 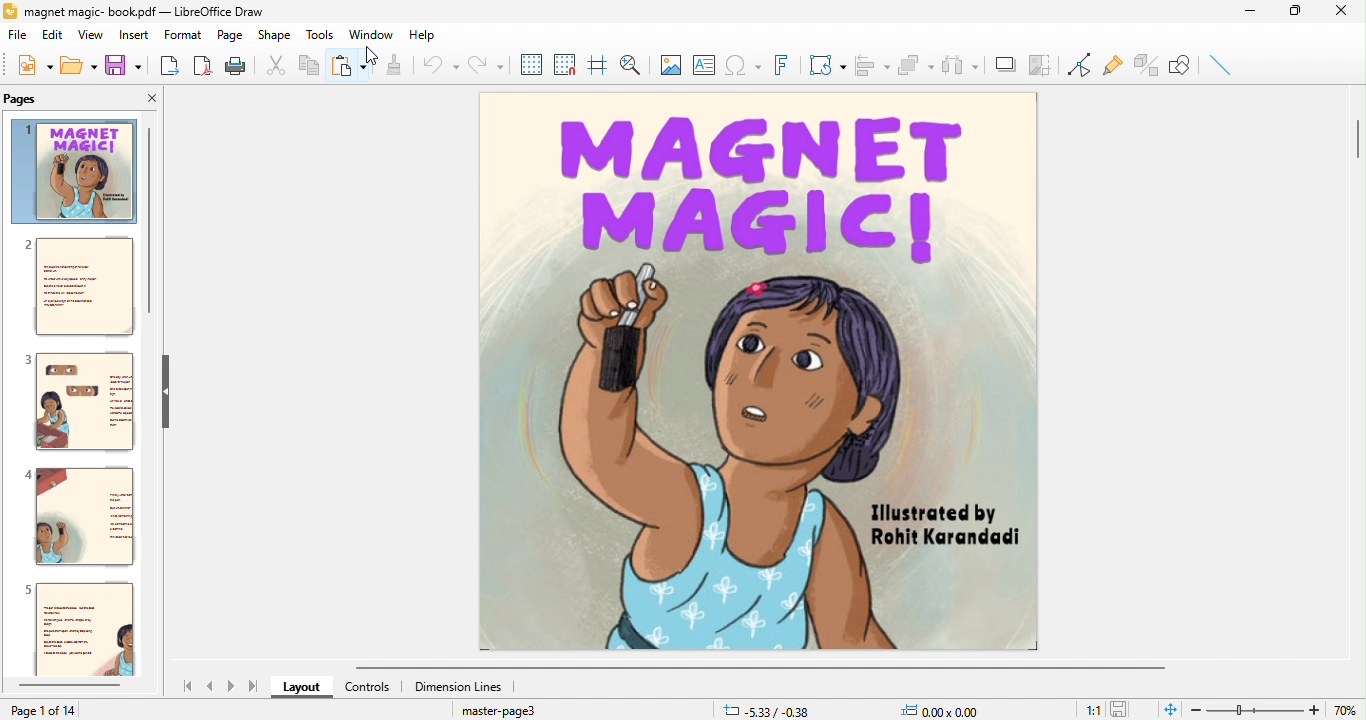 What do you see at coordinates (1247, 12) in the screenshot?
I see `minimize` at bounding box center [1247, 12].